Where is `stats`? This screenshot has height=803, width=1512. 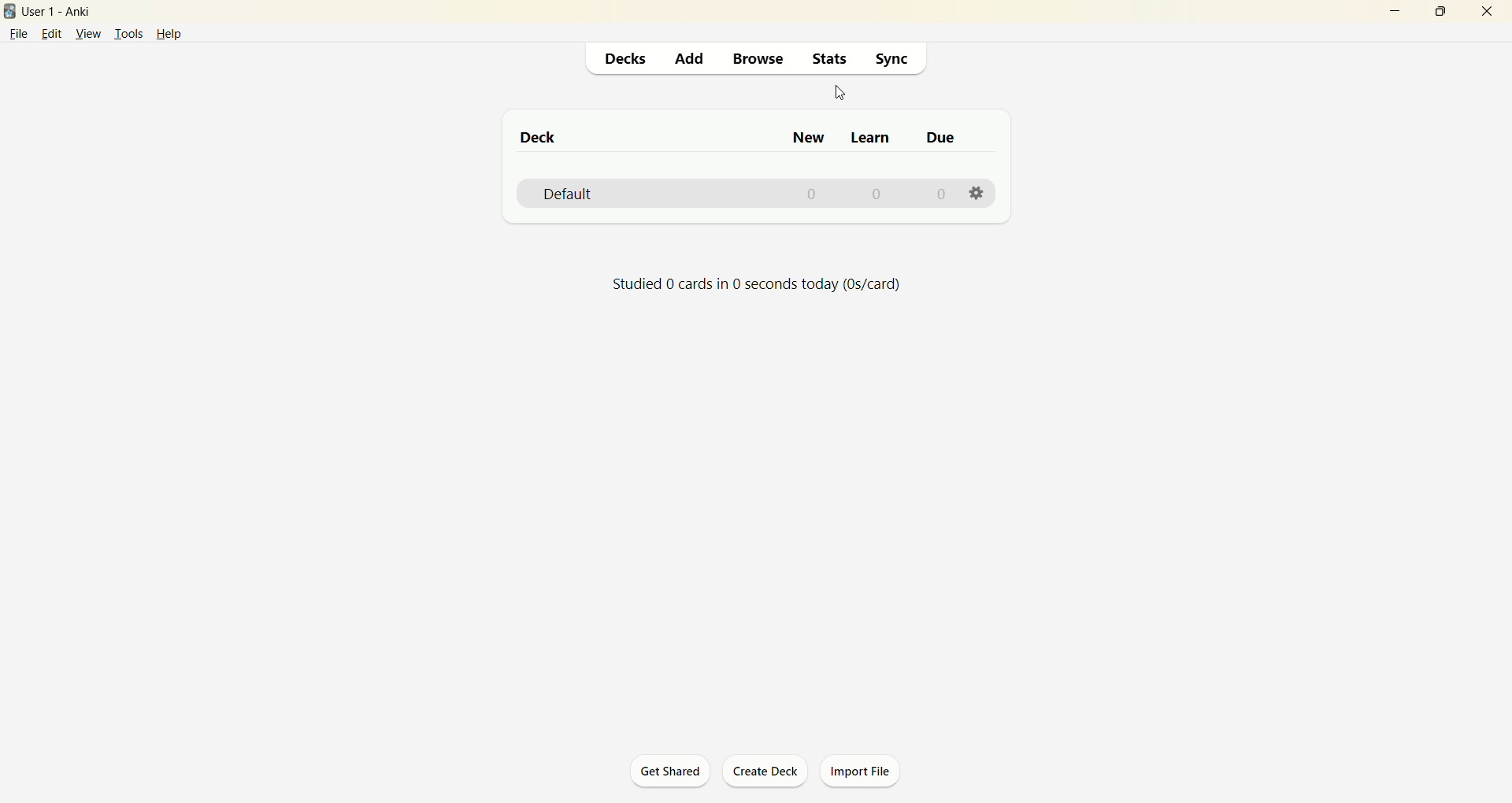
stats is located at coordinates (828, 61).